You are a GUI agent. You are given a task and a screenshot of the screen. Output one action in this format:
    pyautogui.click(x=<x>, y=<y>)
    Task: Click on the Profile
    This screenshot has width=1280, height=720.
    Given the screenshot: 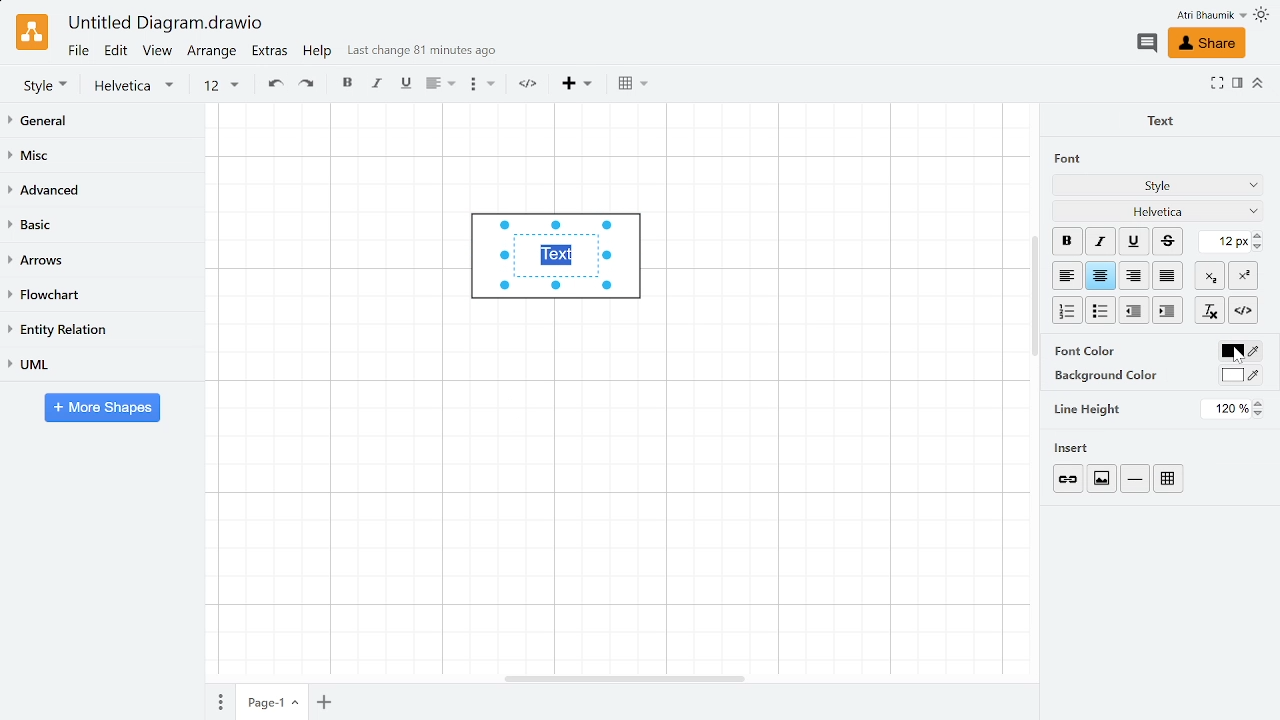 What is the action you would take?
    pyautogui.click(x=1198, y=15)
    